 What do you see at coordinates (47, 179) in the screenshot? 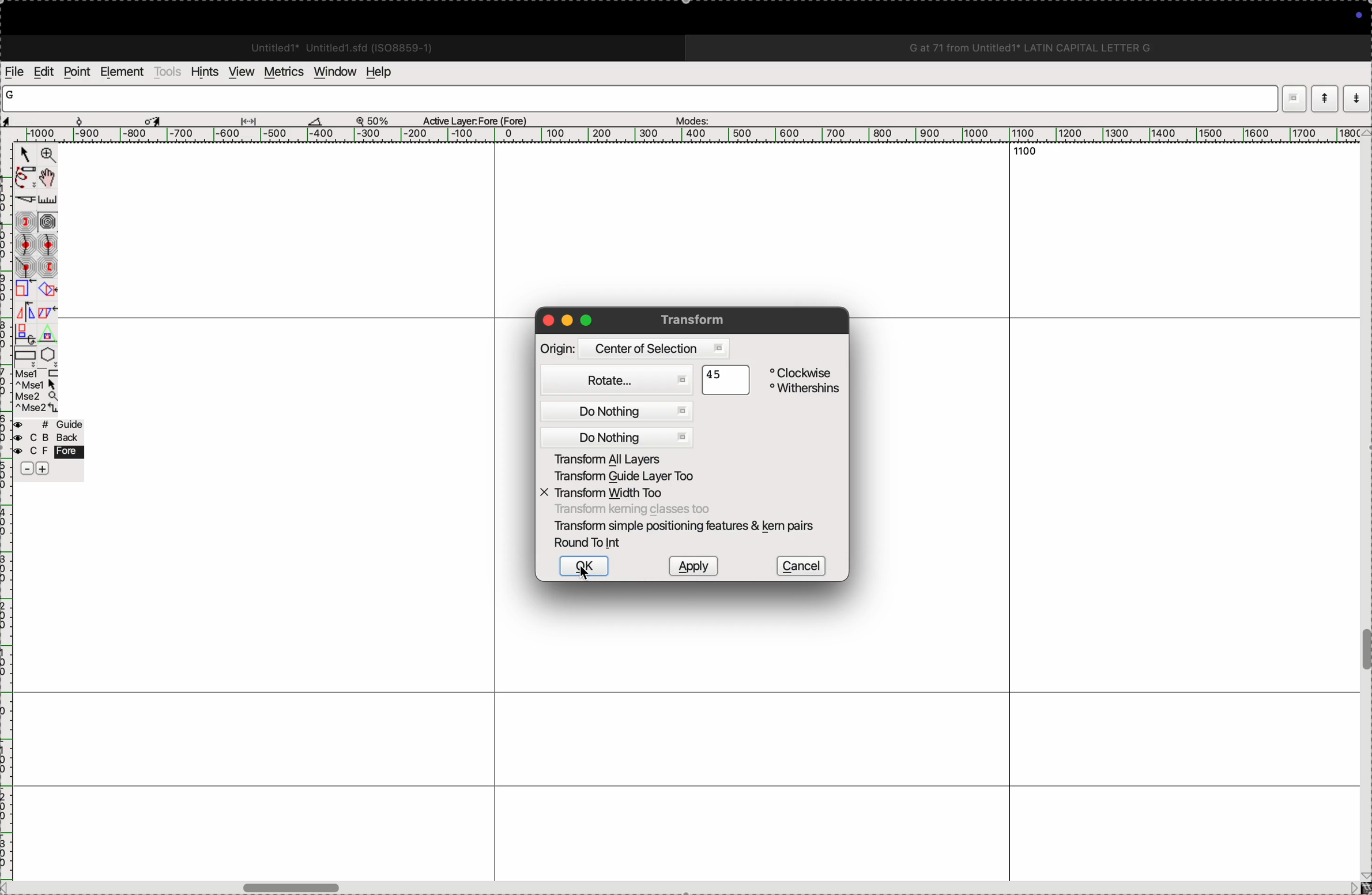
I see `Pan` at bounding box center [47, 179].